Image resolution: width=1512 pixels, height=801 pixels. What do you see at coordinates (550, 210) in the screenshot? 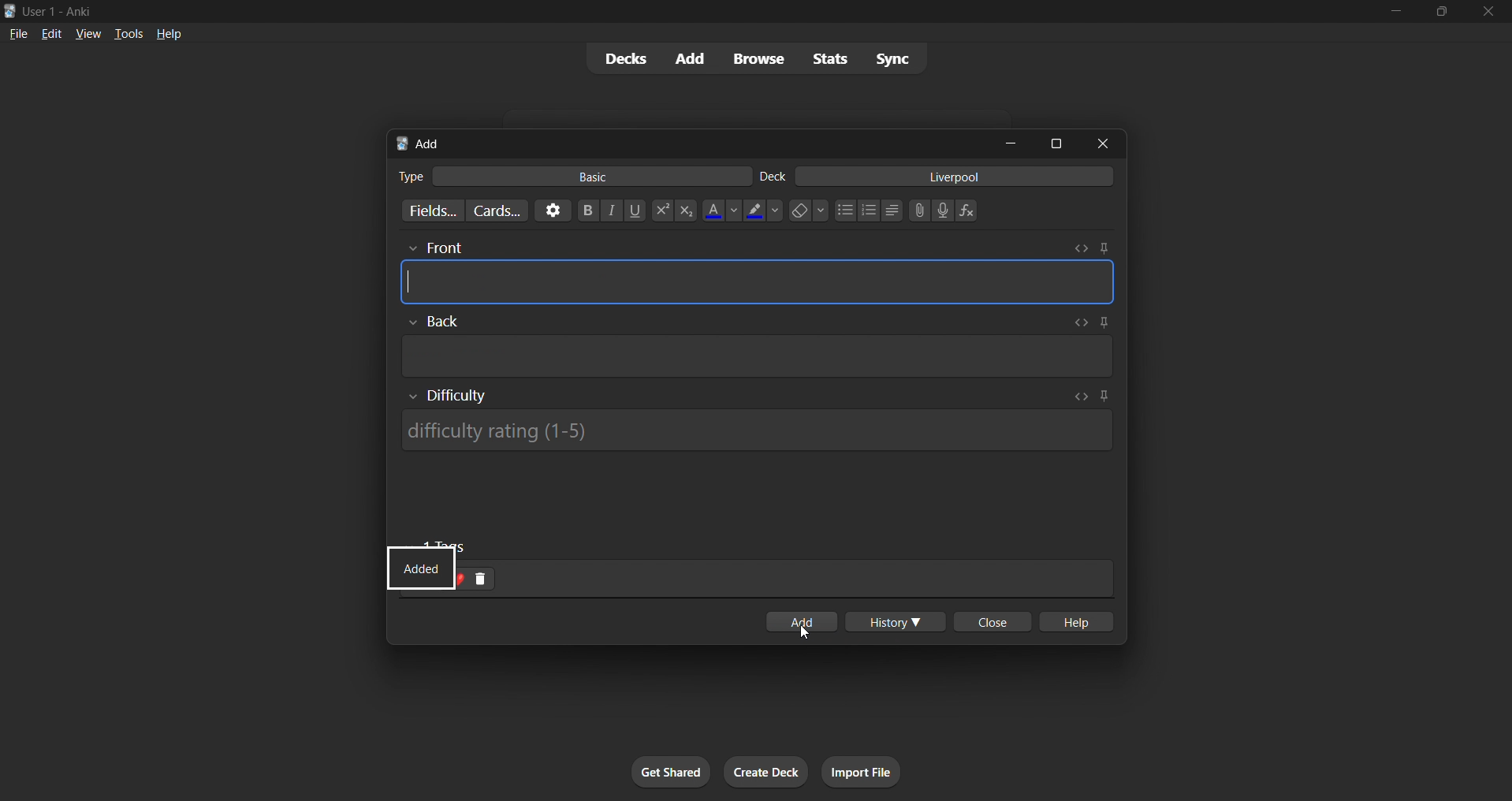
I see `options` at bounding box center [550, 210].